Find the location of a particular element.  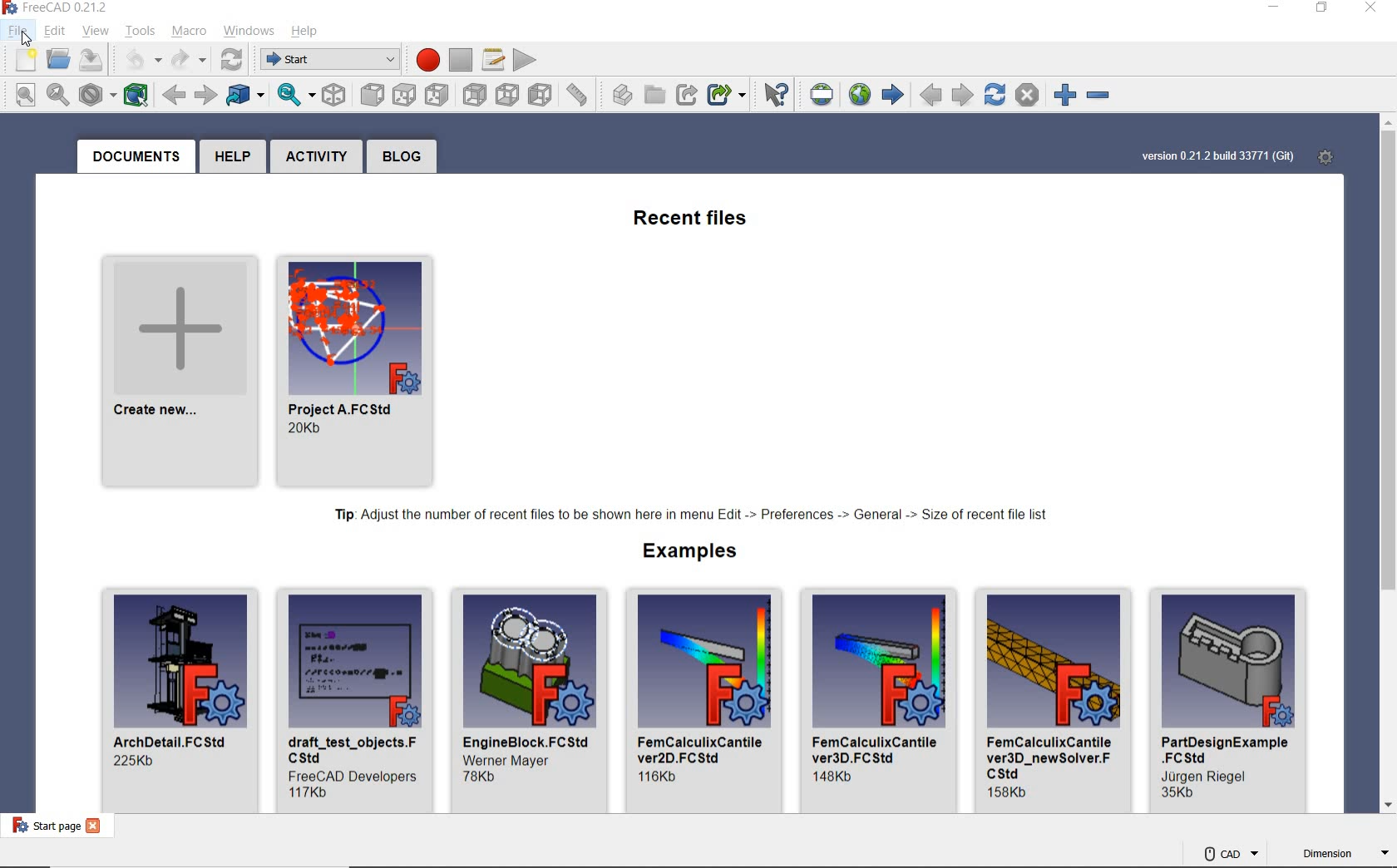

dev name is located at coordinates (1210, 777).